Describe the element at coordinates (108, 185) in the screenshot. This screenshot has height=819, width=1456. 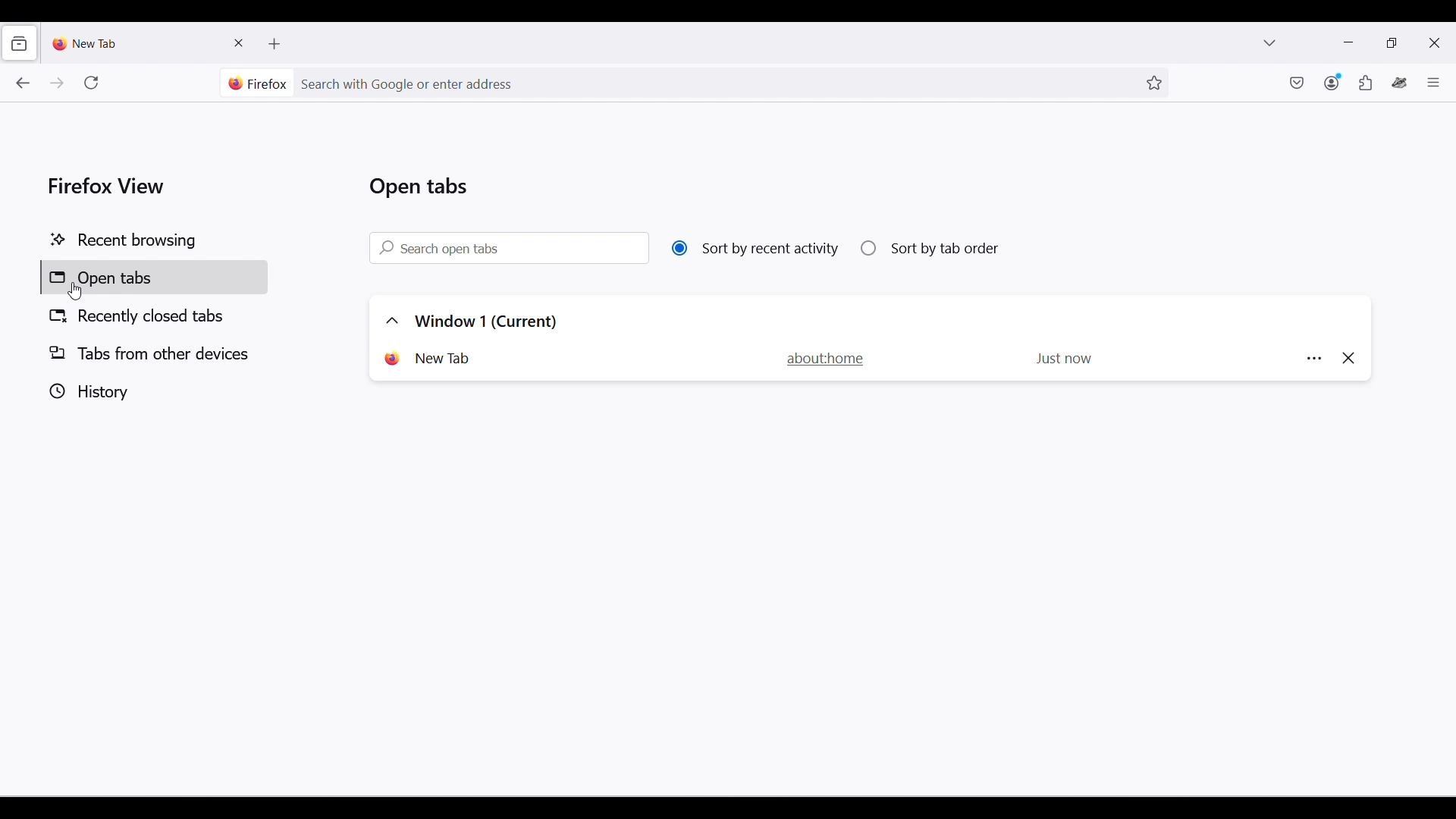
I see `List title - Firefox View` at that location.